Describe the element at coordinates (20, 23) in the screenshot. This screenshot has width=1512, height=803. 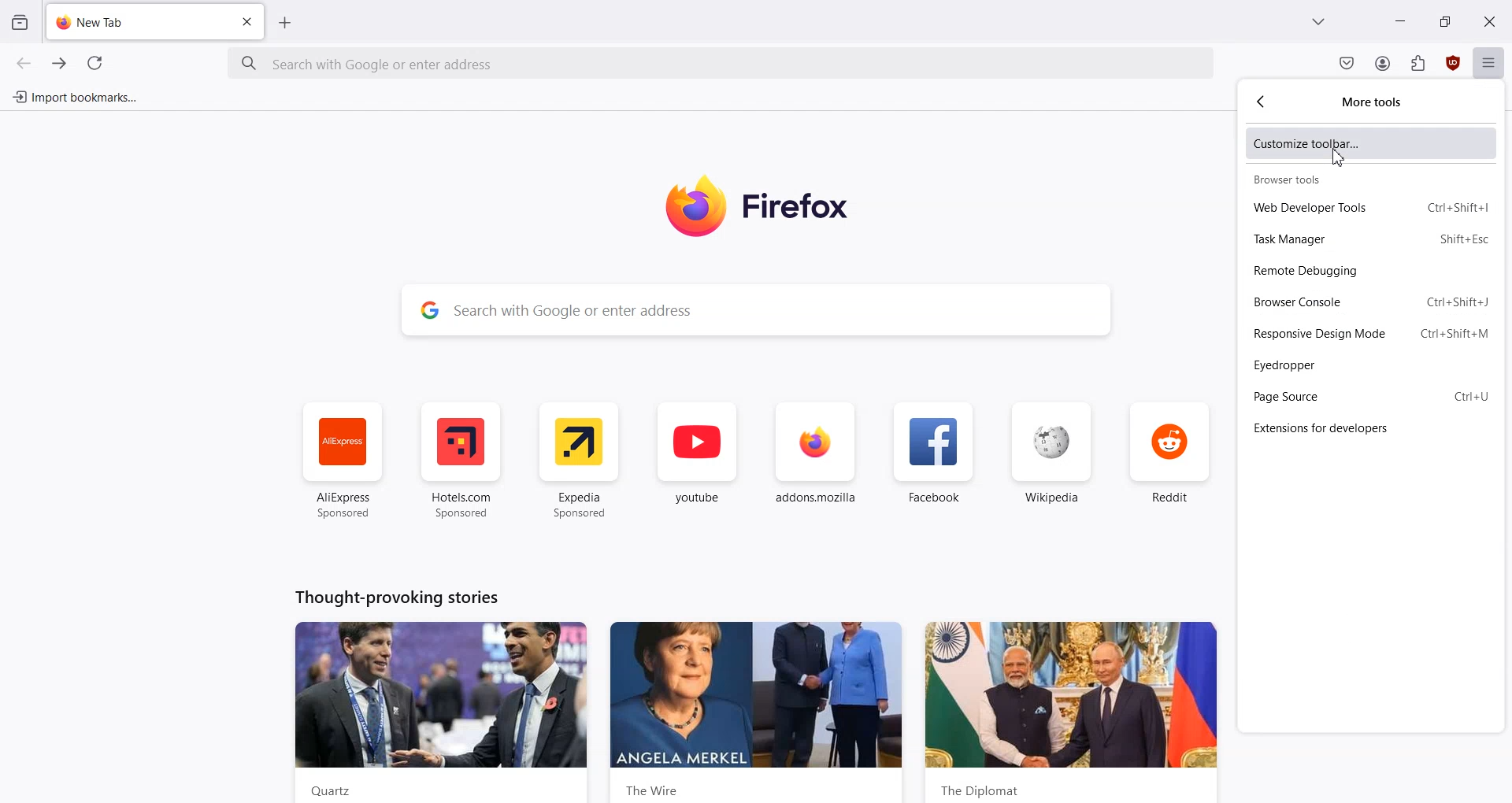
I see `View recent browsing` at that location.